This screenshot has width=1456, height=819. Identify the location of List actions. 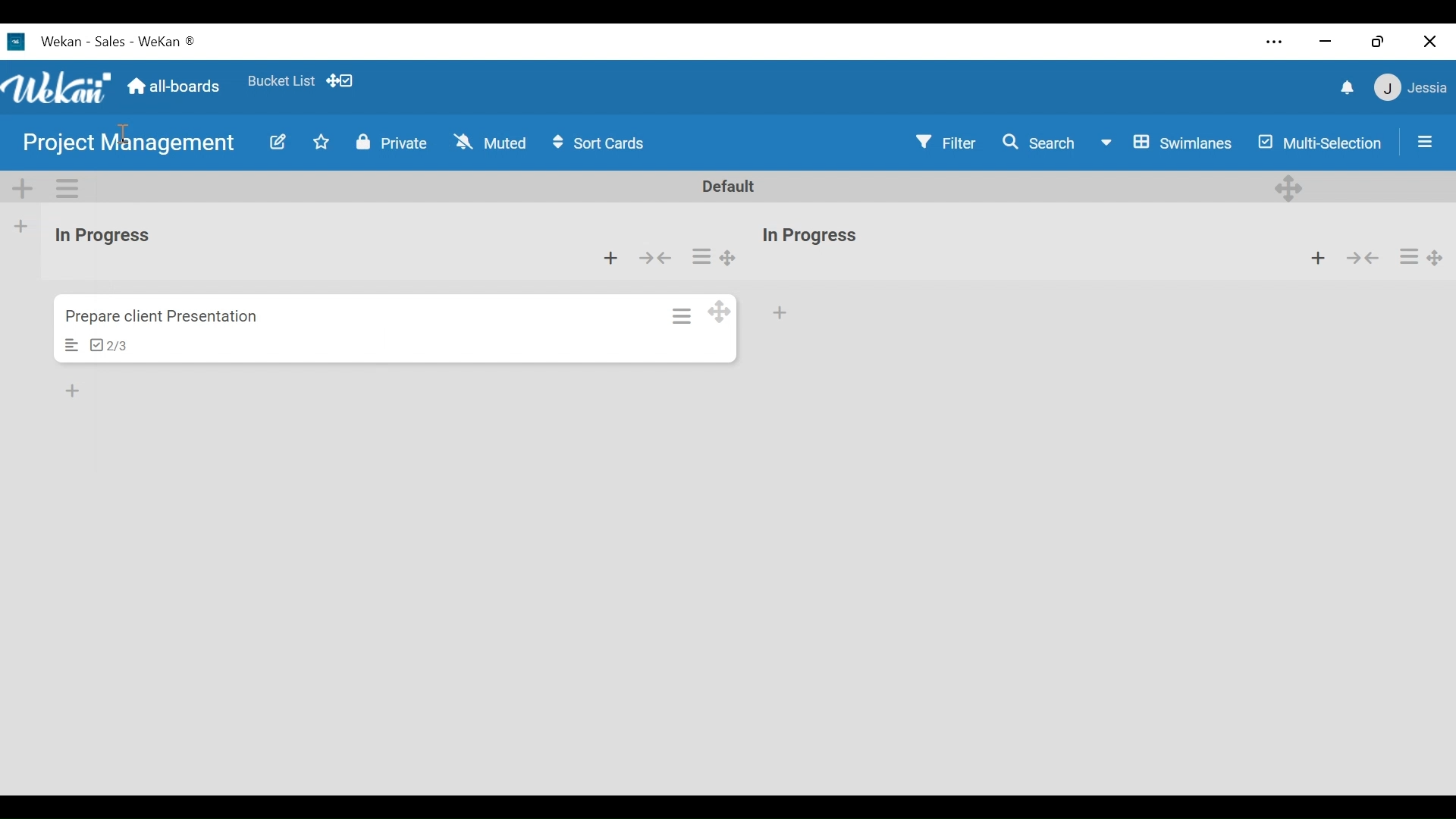
(701, 255).